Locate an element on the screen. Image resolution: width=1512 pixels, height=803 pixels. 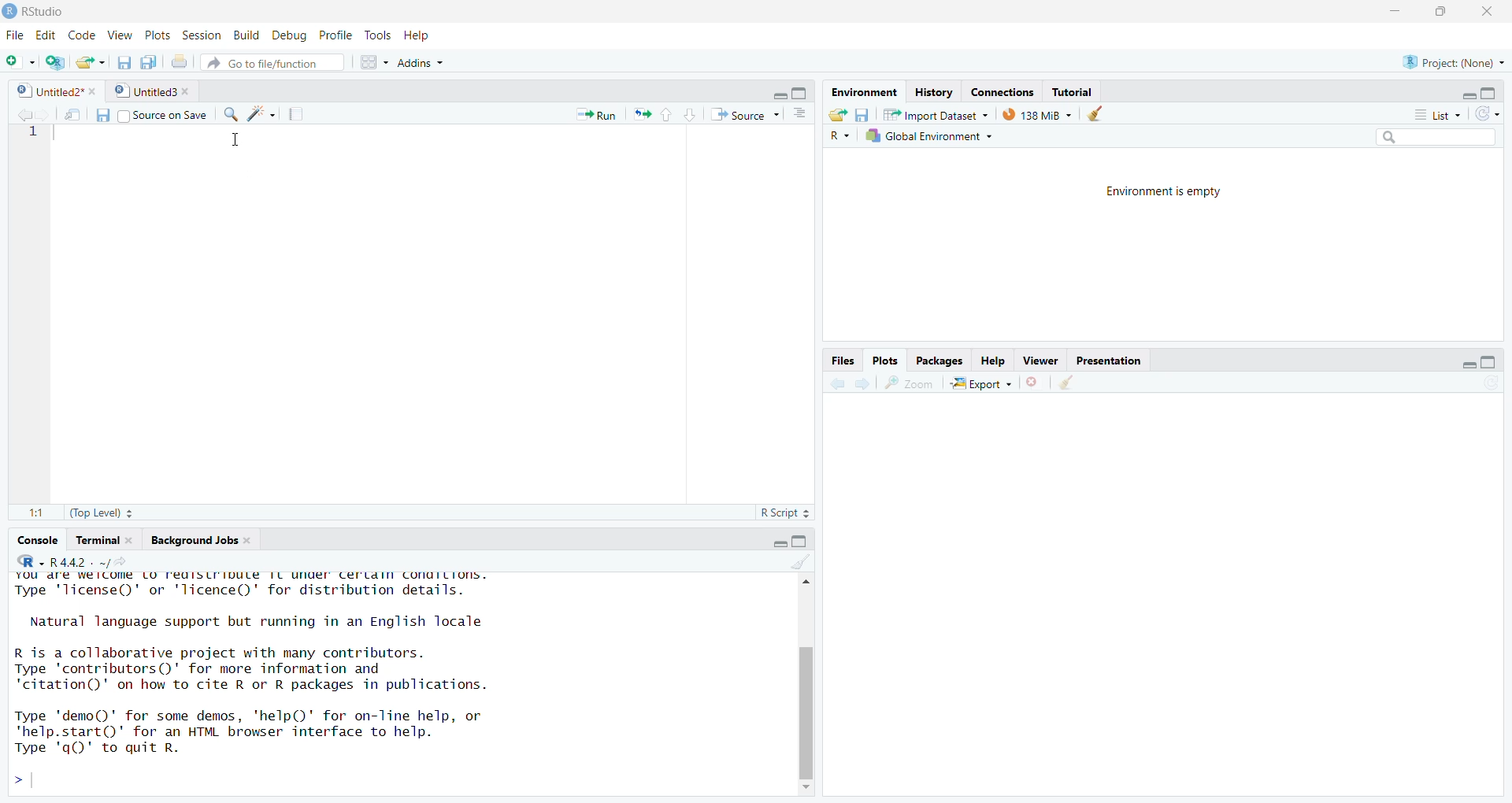
Source is located at coordinates (743, 116).